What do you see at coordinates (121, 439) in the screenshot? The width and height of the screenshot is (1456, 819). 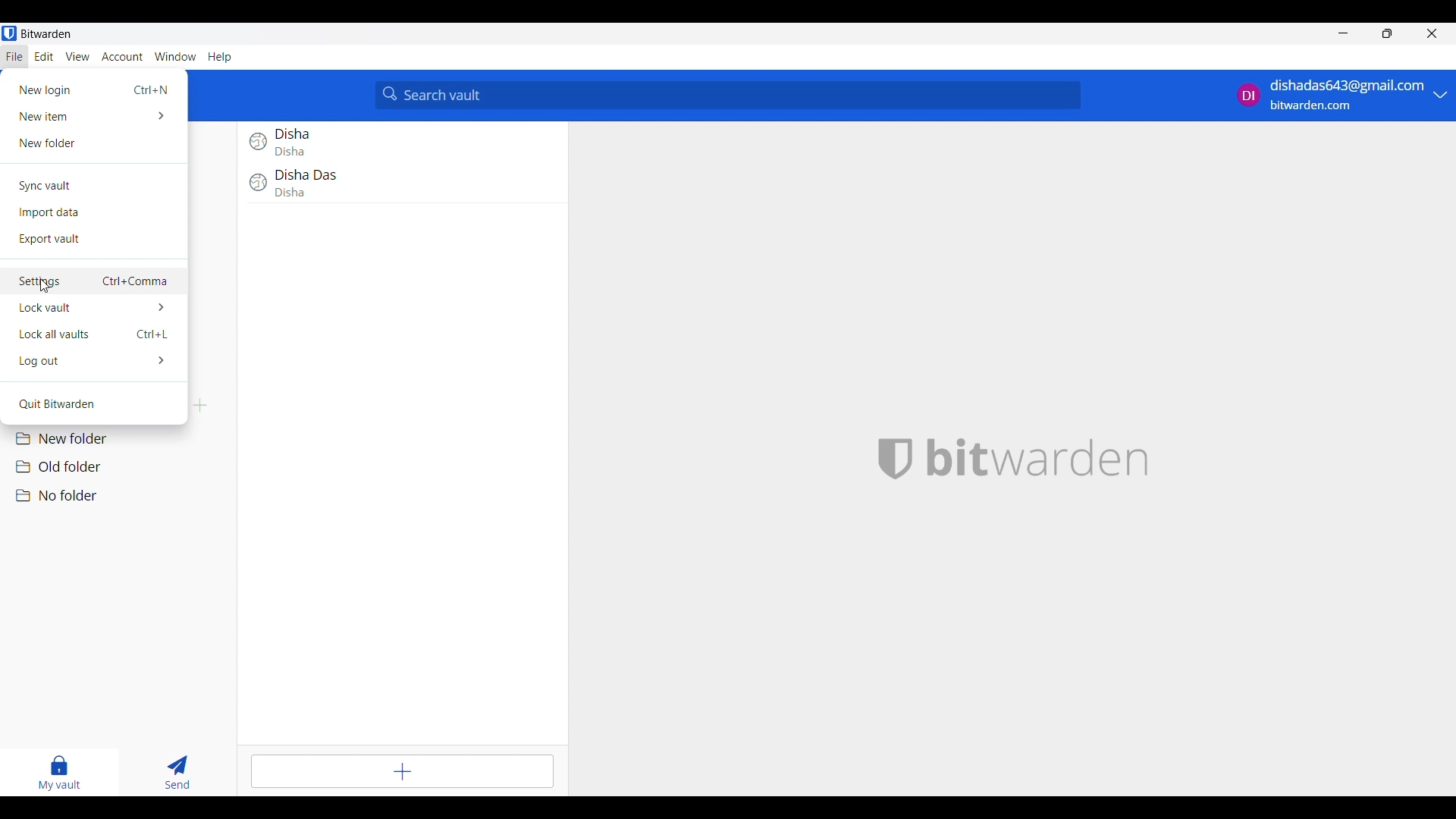 I see `New folder` at bounding box center [121, 439].